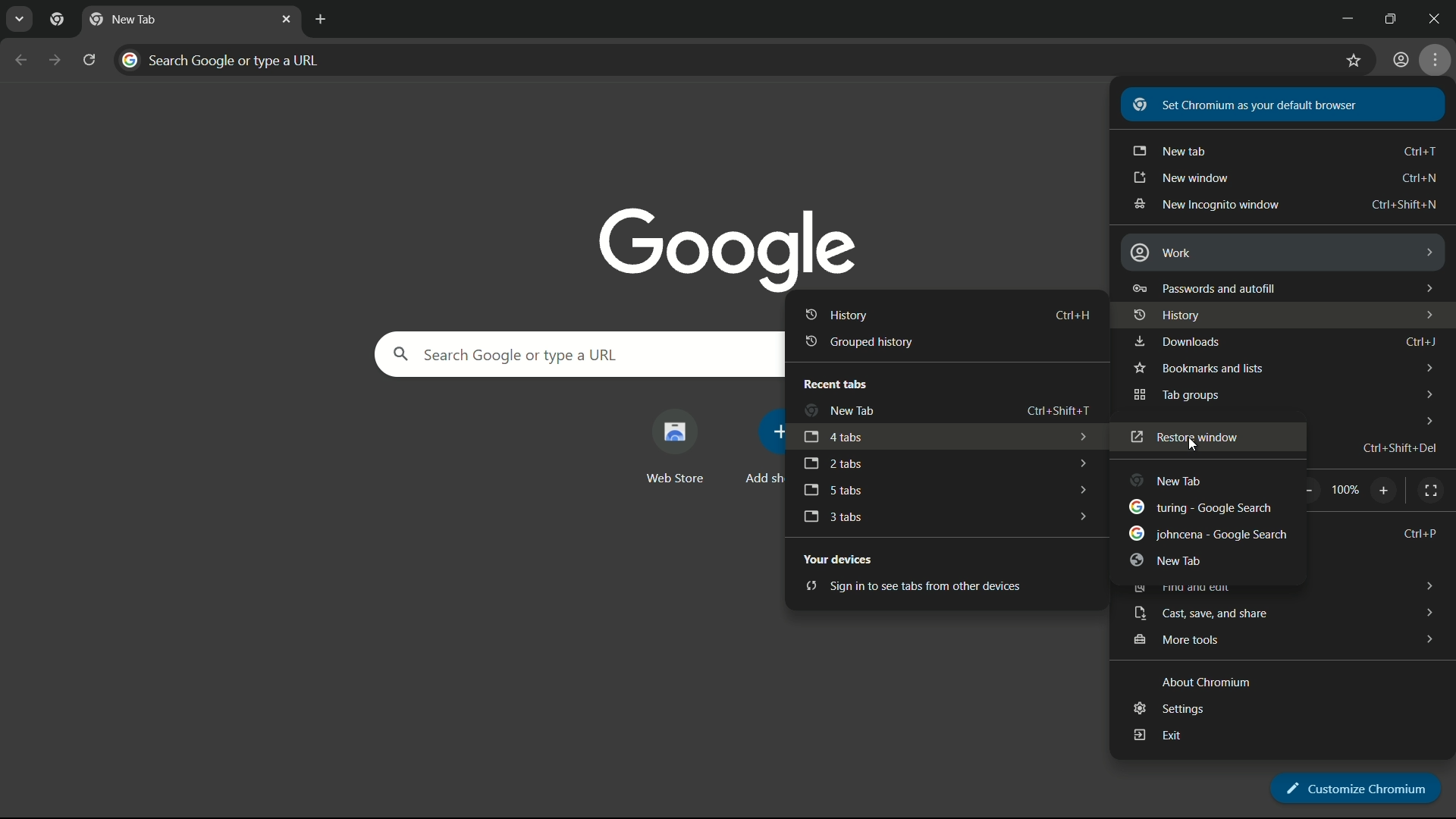 This screenshot has height=819, width=1456. Describe the element at coordinates (1204, 684) in the screenshot. I see `about chromium` at that location.